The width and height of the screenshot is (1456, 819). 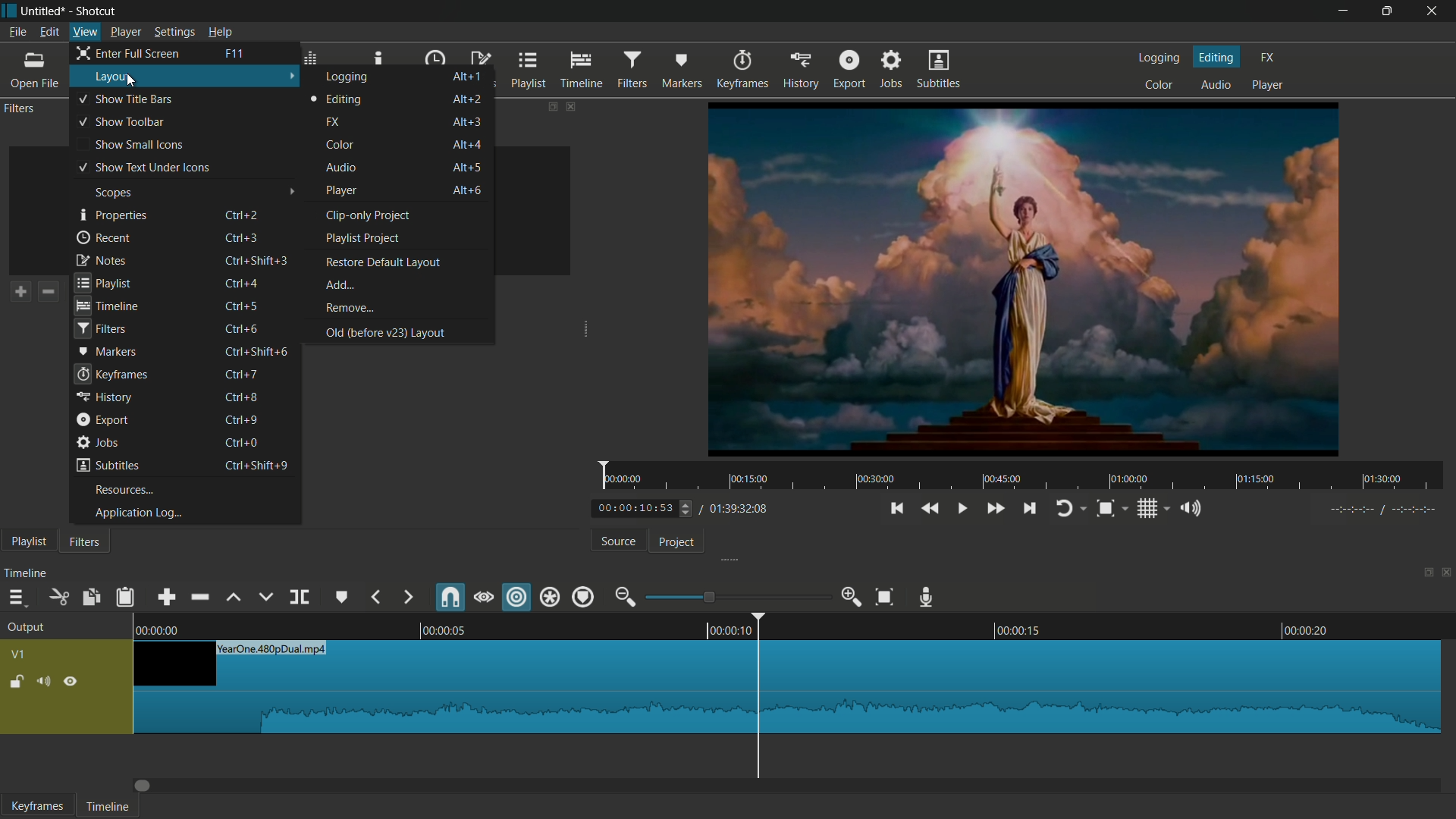 What do you see at coordinates (199, 598) in the screenshot?
I see `ripple delete` at bounding box center [199, 598].